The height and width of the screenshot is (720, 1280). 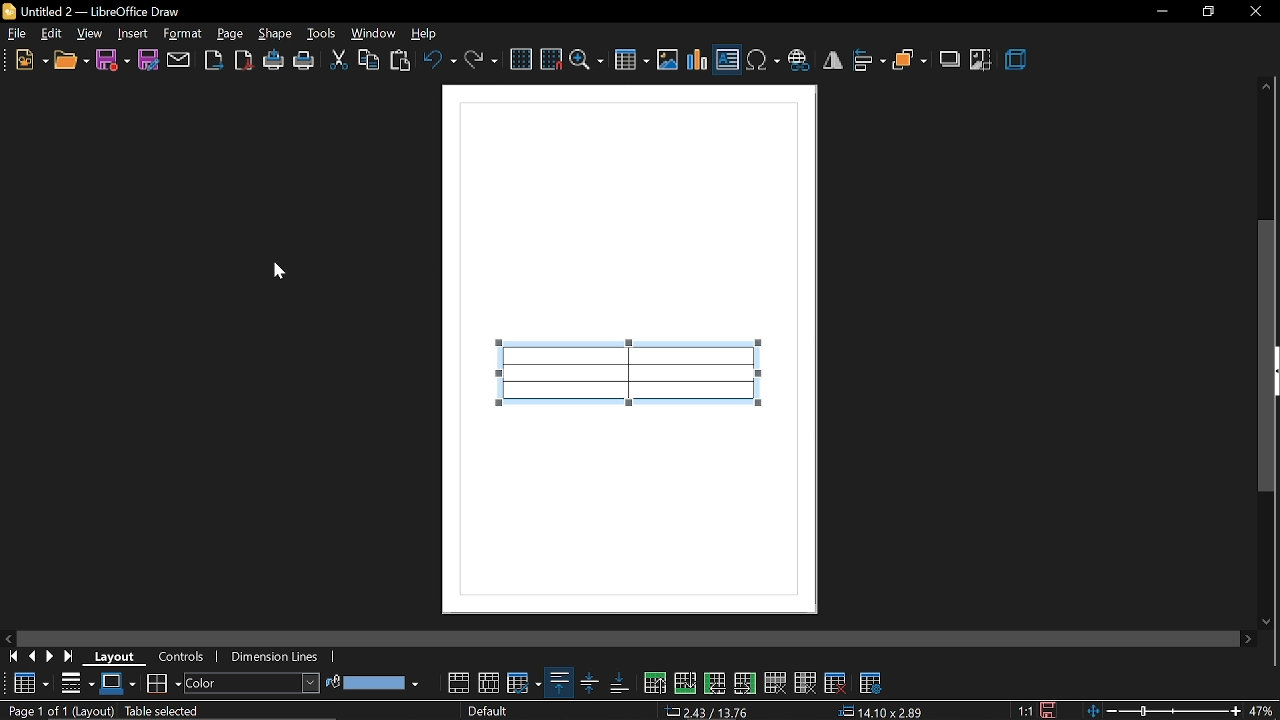 I want to click on snap to grid, so click(x=552, y=59).